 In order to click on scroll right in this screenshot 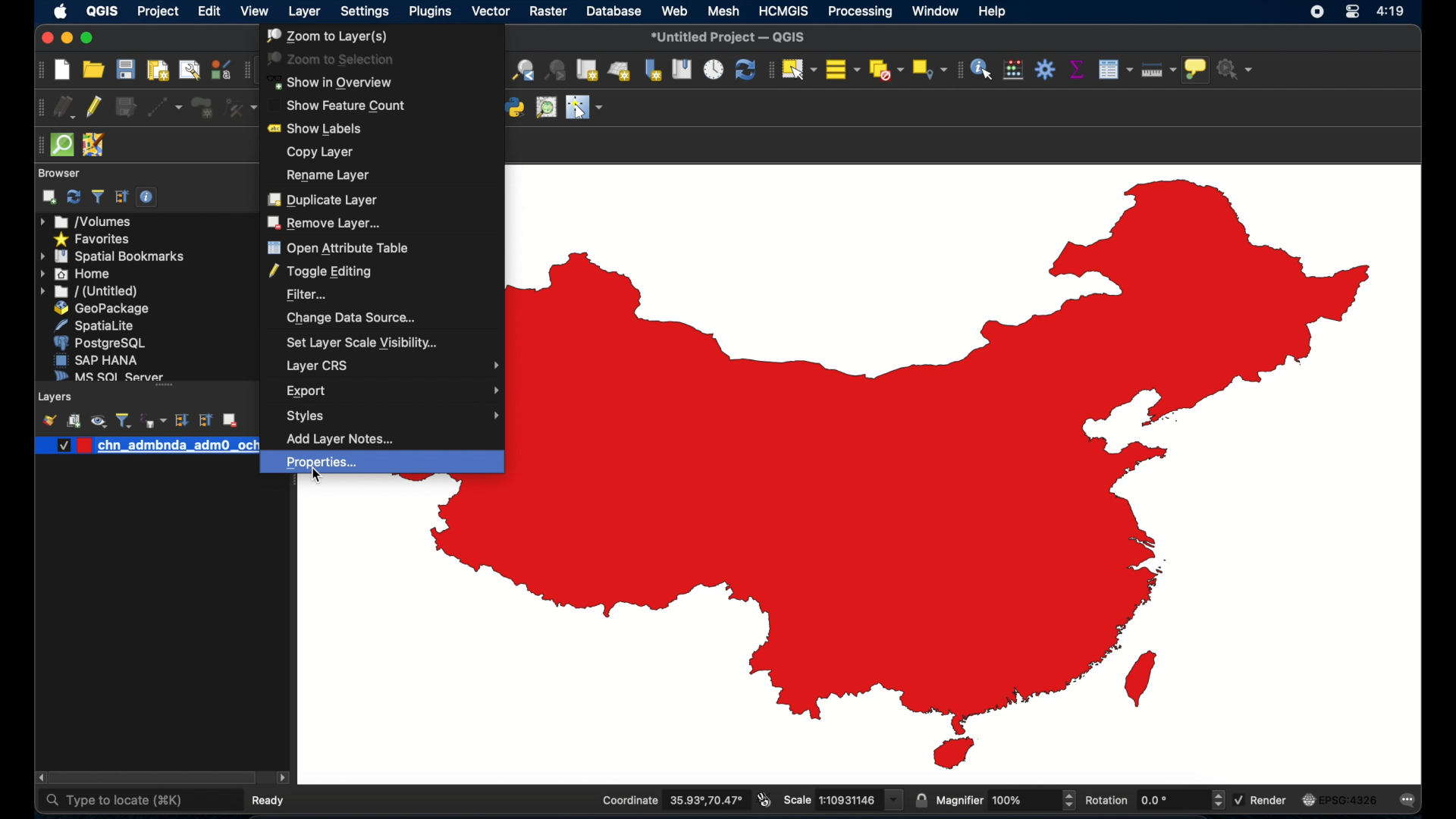, I will do `click(38, 778)`.